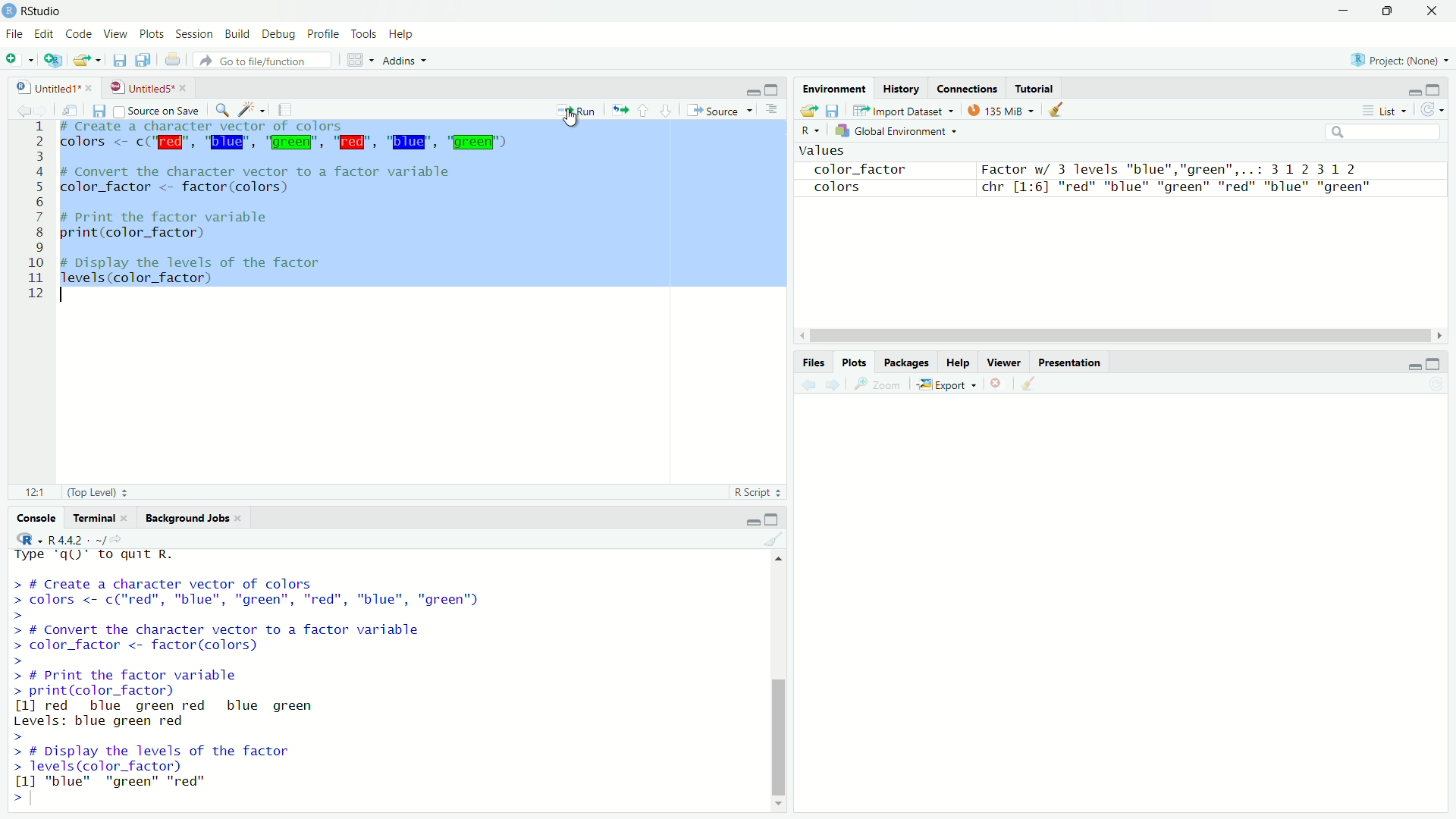 The width and height of the screenshot is (1456, 819). What do you see at coordinates (146, 782) in the screenshot?
I see `[1] "blue" "green" "red"` at bounding box center [146, 782].